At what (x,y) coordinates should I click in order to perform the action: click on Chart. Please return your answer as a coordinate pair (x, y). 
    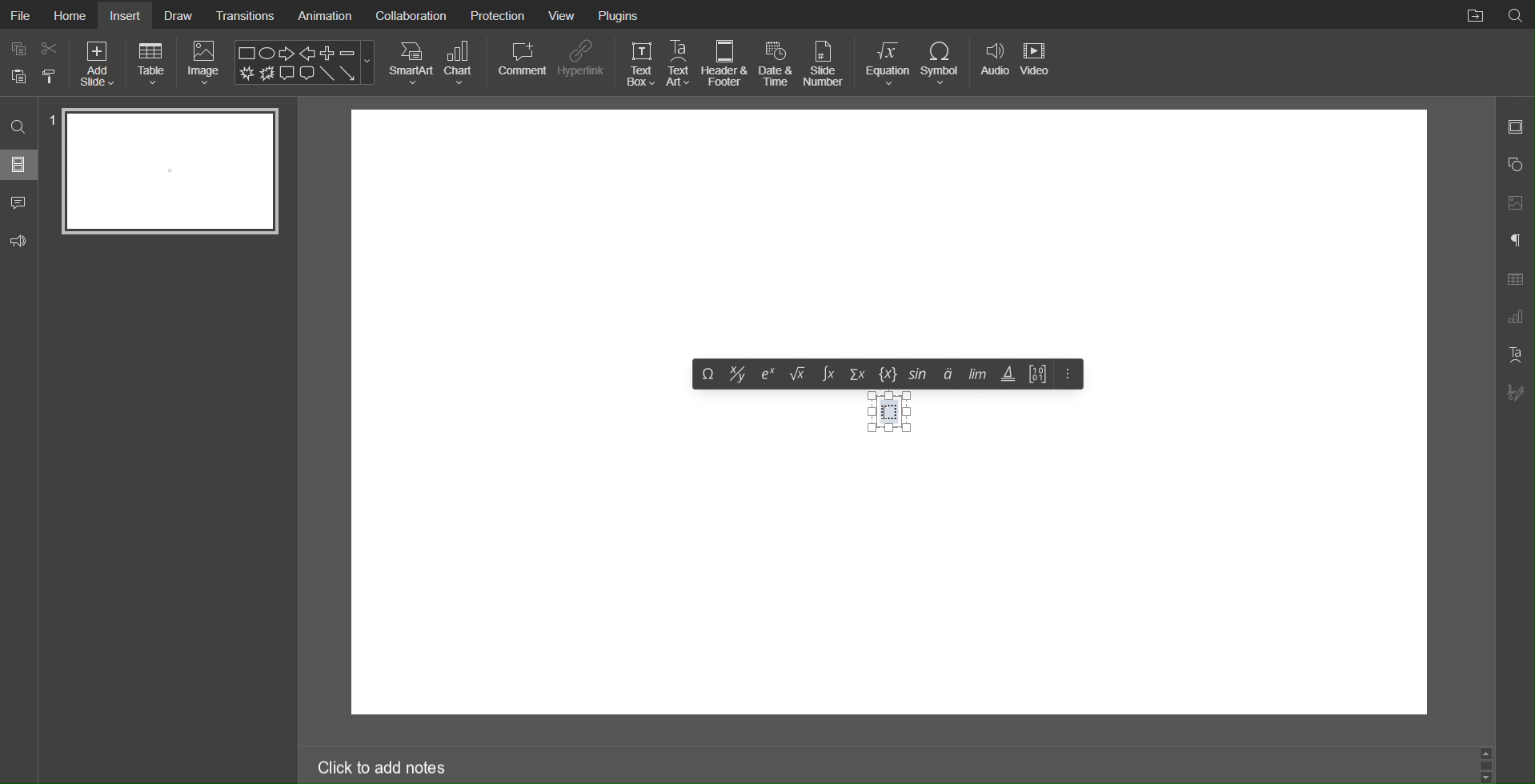
    Looking at the image, I should click on (461, 63).